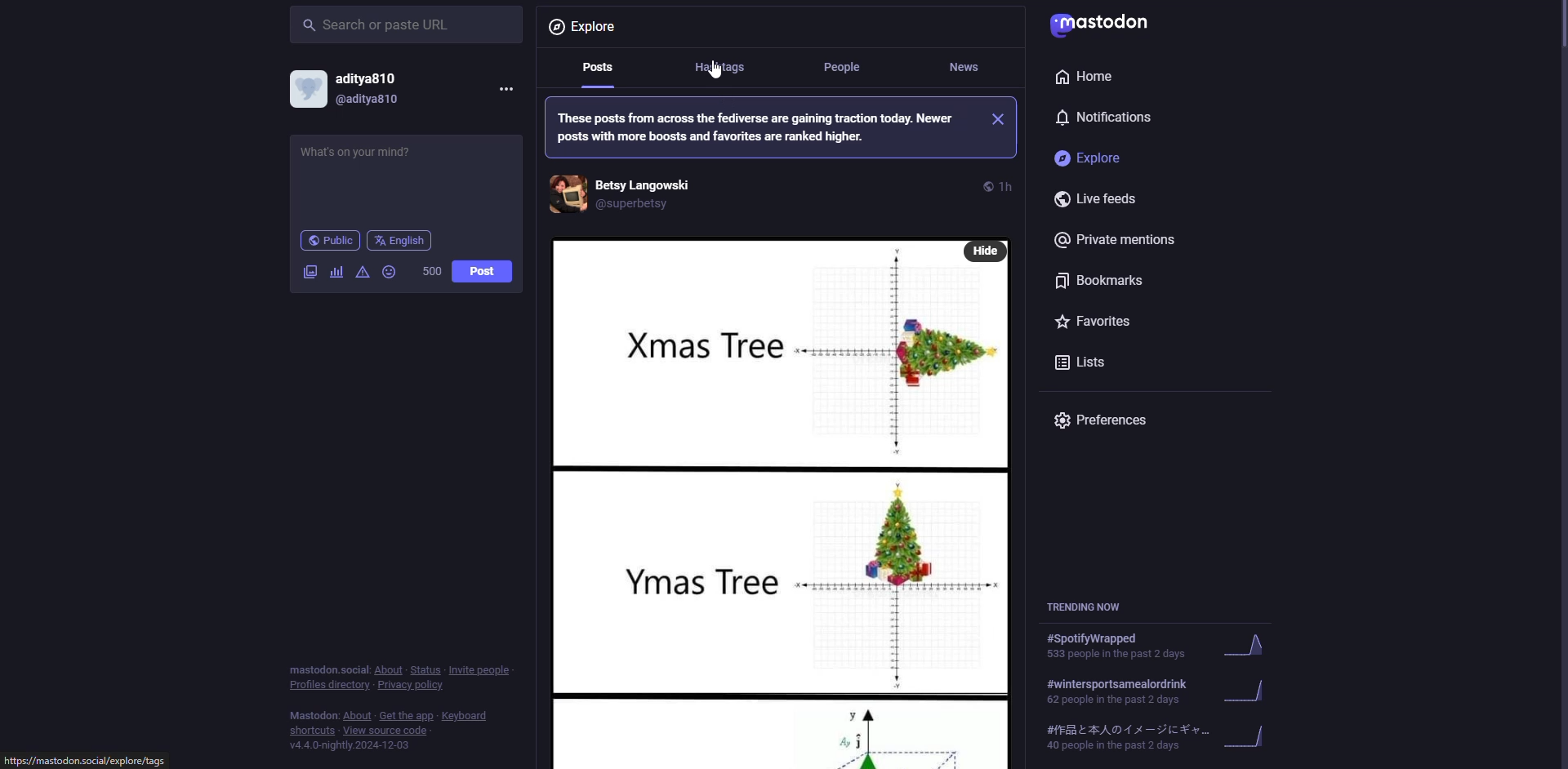 The height and width of the screenshot is (769, 1568). What do you see at coordinates (1000, 120) in the screenshot?
I see `close` at bounding box center [1000, 120].